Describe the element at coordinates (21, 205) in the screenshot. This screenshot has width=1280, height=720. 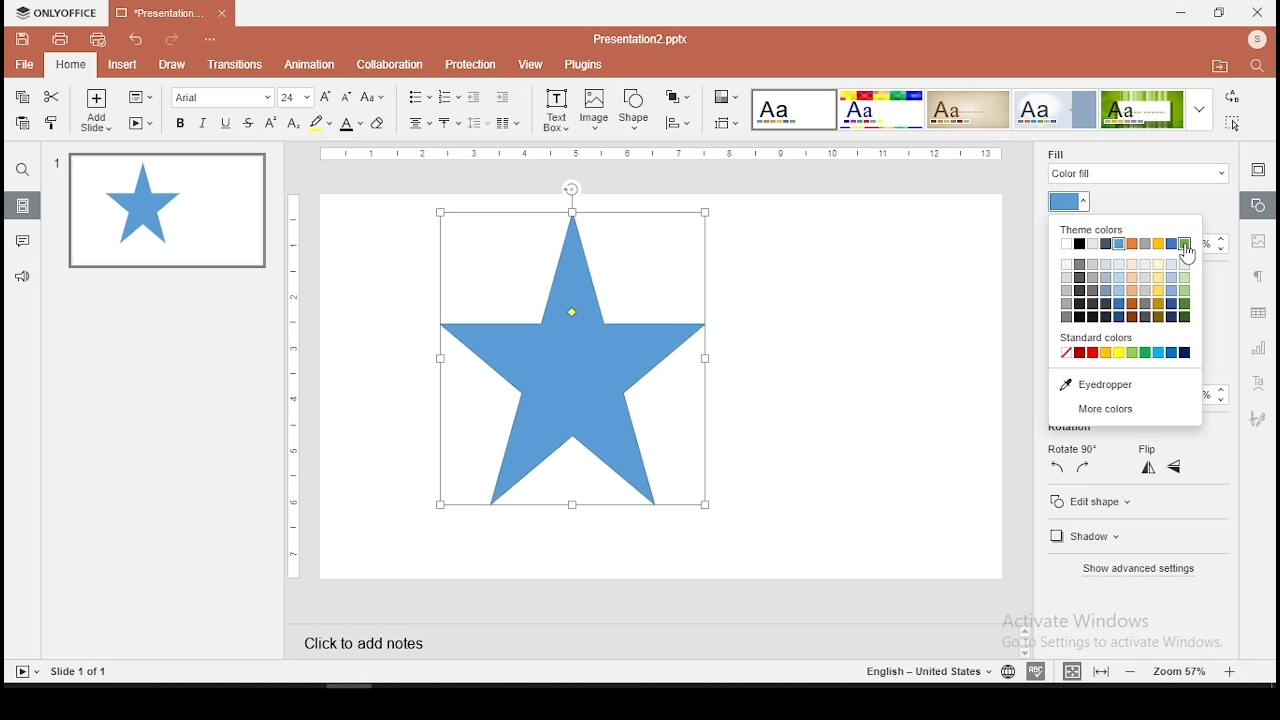
I see `slides` at that location.